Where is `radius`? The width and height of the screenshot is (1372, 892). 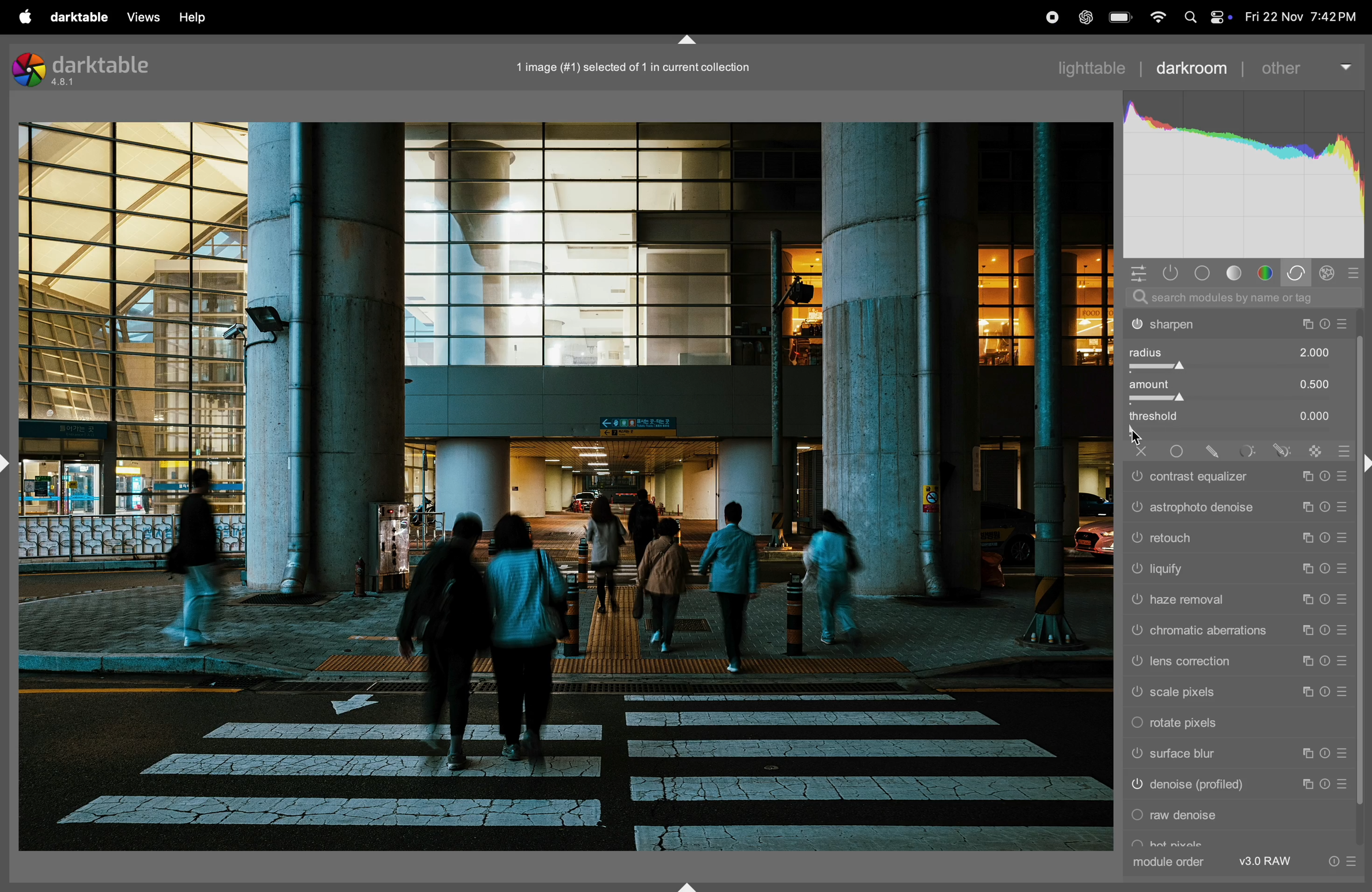
radius is located at coordinates (1239, 357).